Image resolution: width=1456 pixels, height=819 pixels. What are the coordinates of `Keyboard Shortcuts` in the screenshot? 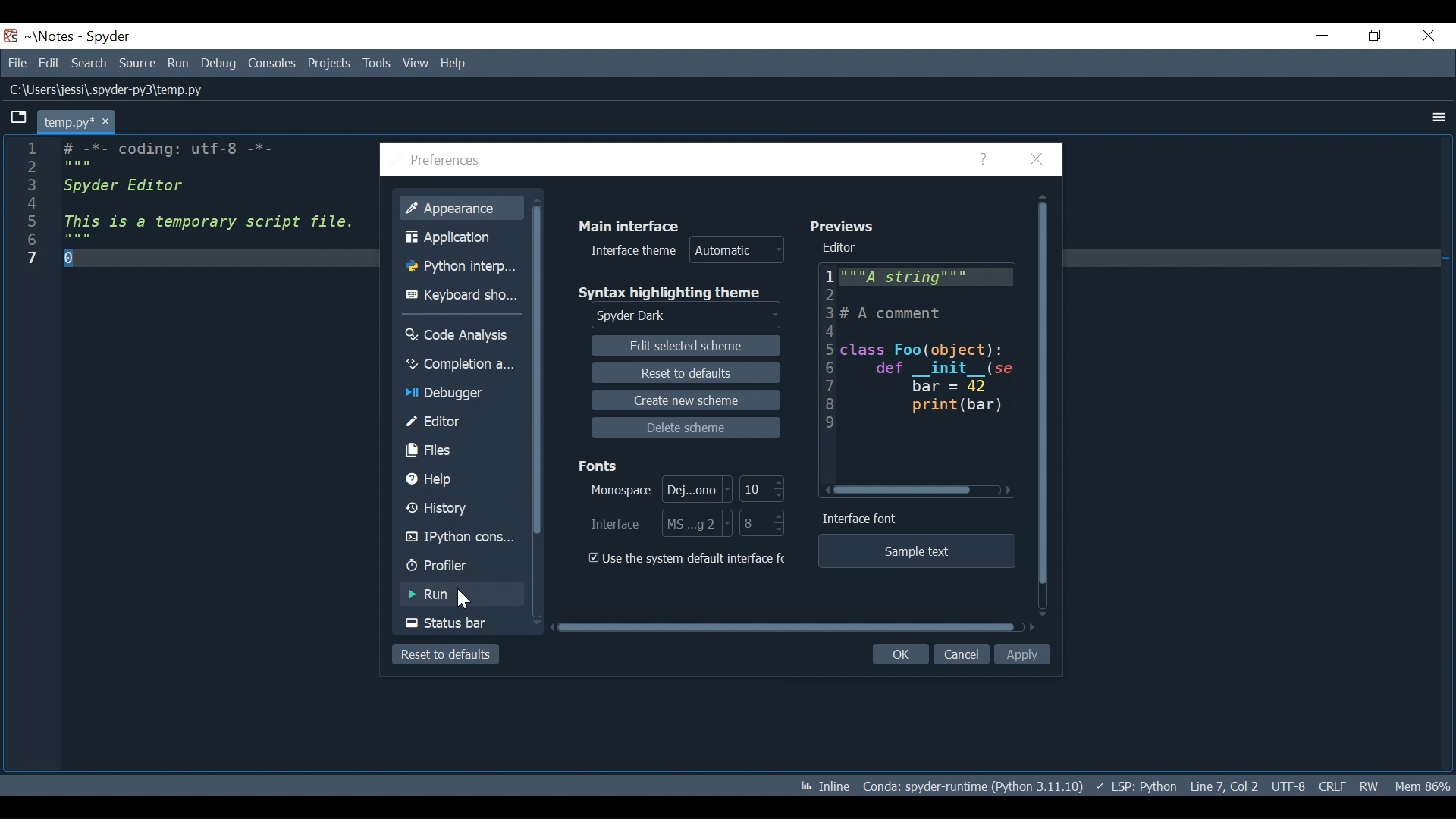 It's located at (458, 295).